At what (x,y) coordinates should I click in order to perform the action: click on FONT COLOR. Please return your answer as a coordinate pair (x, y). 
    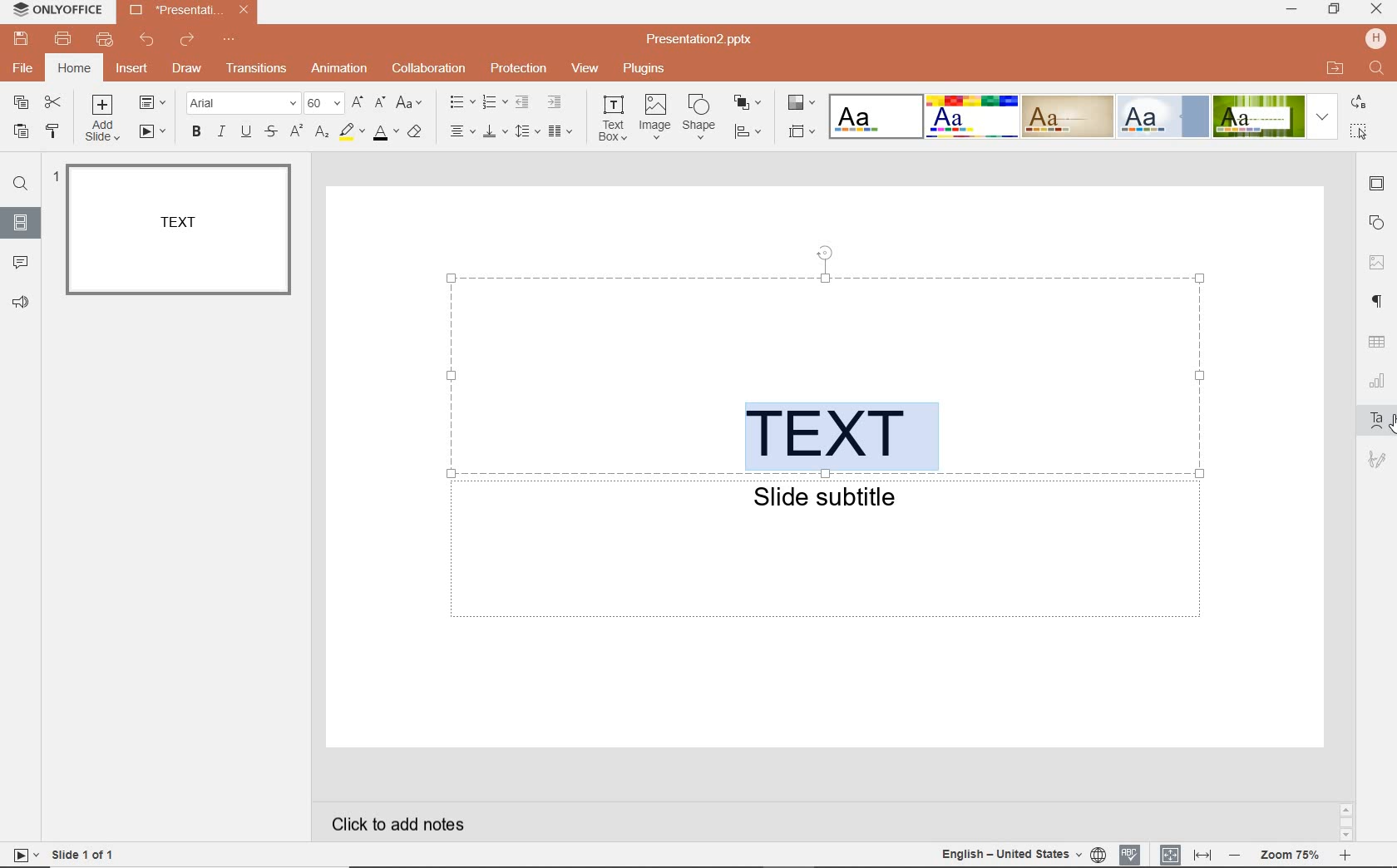
    Looking at the image, I should click on (384, 133).